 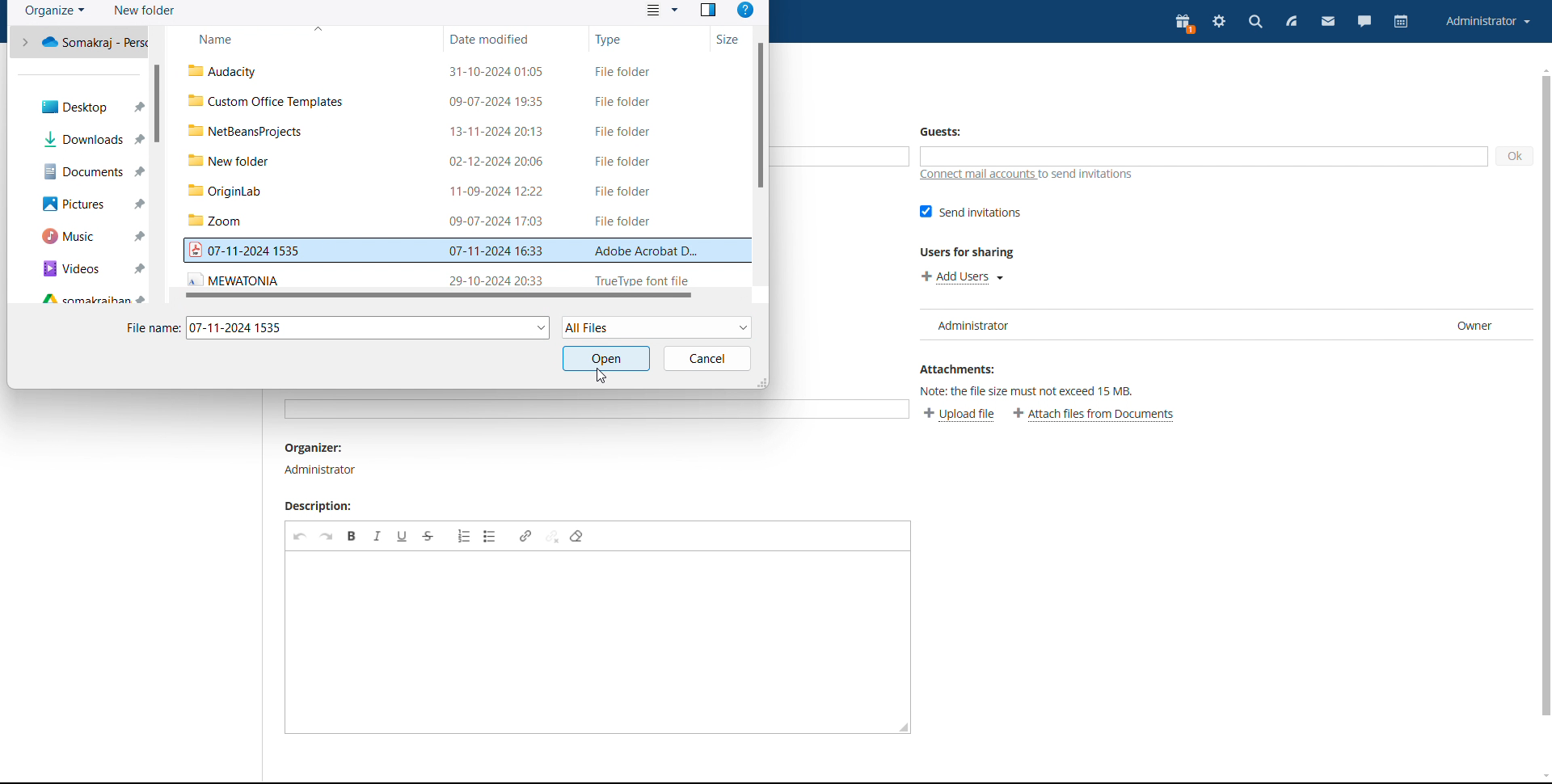 What do you see at coordinates (1542, 404) in the screenshot?
I see `` at bounding box center [1542, 404].